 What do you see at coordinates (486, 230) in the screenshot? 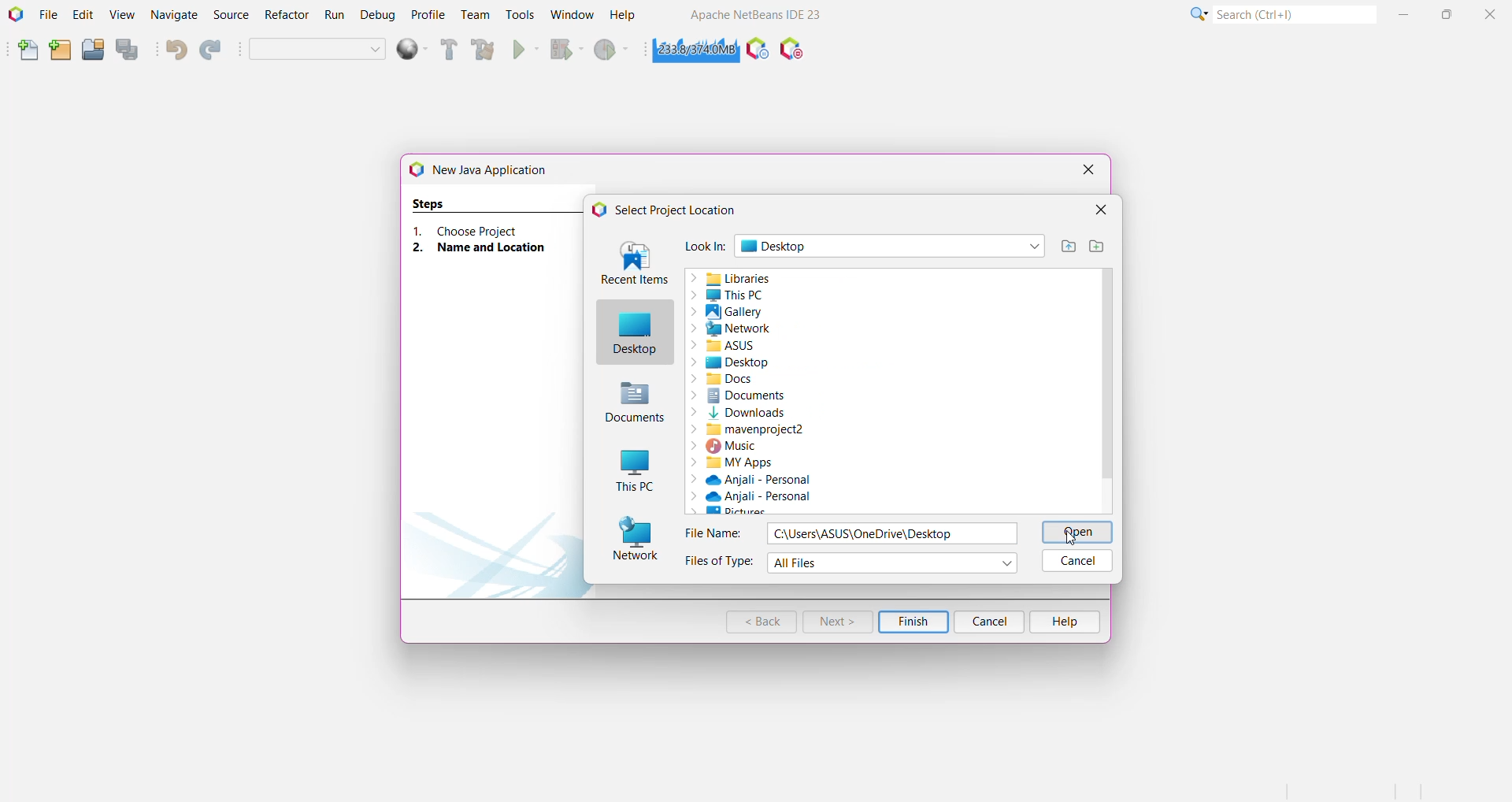
I see `Choose Project` at bounding box center [486, 230].